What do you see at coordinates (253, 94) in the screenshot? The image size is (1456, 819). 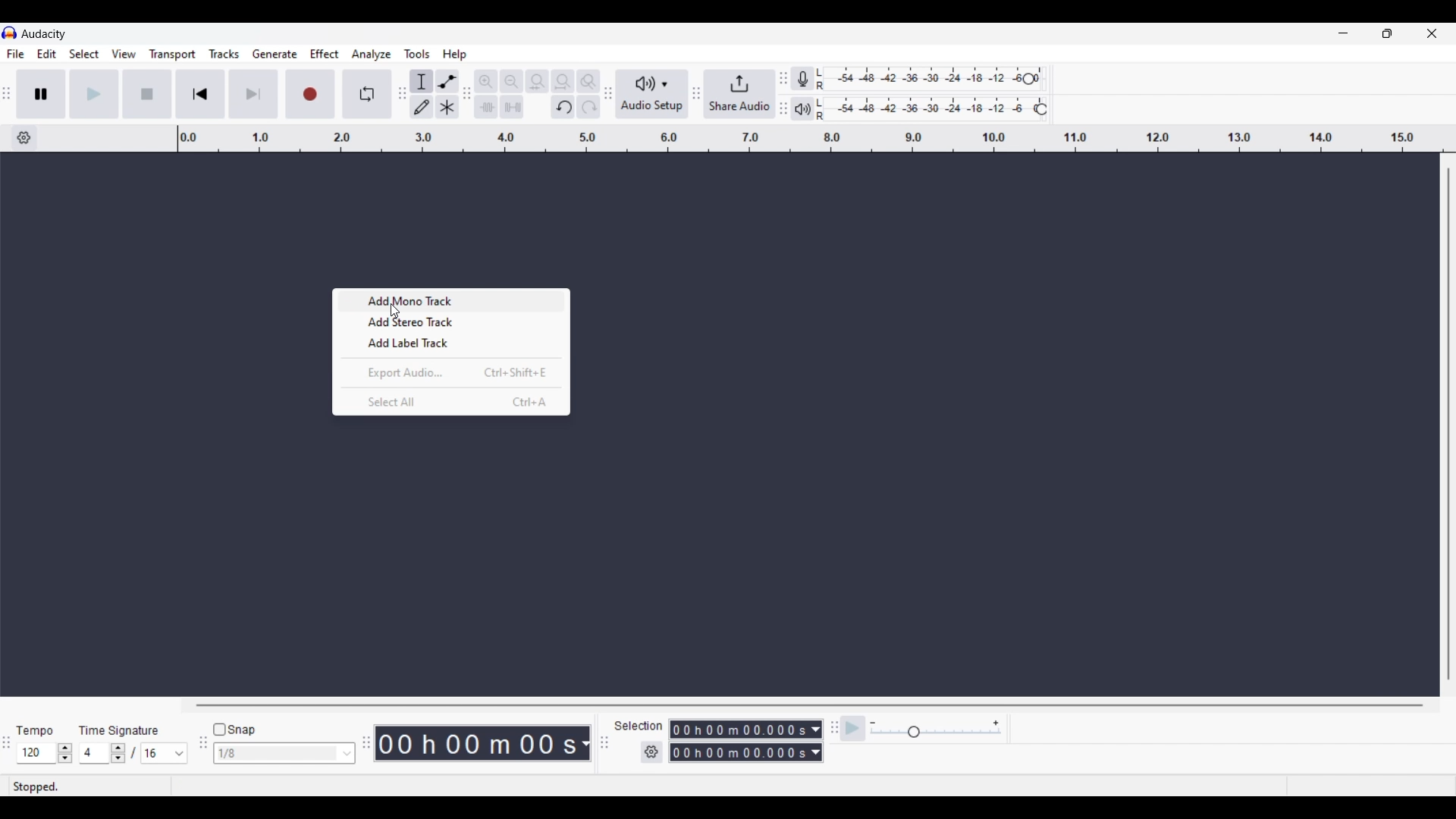 I see `Skip to end/Select to end` at bounding box center [253, 94].